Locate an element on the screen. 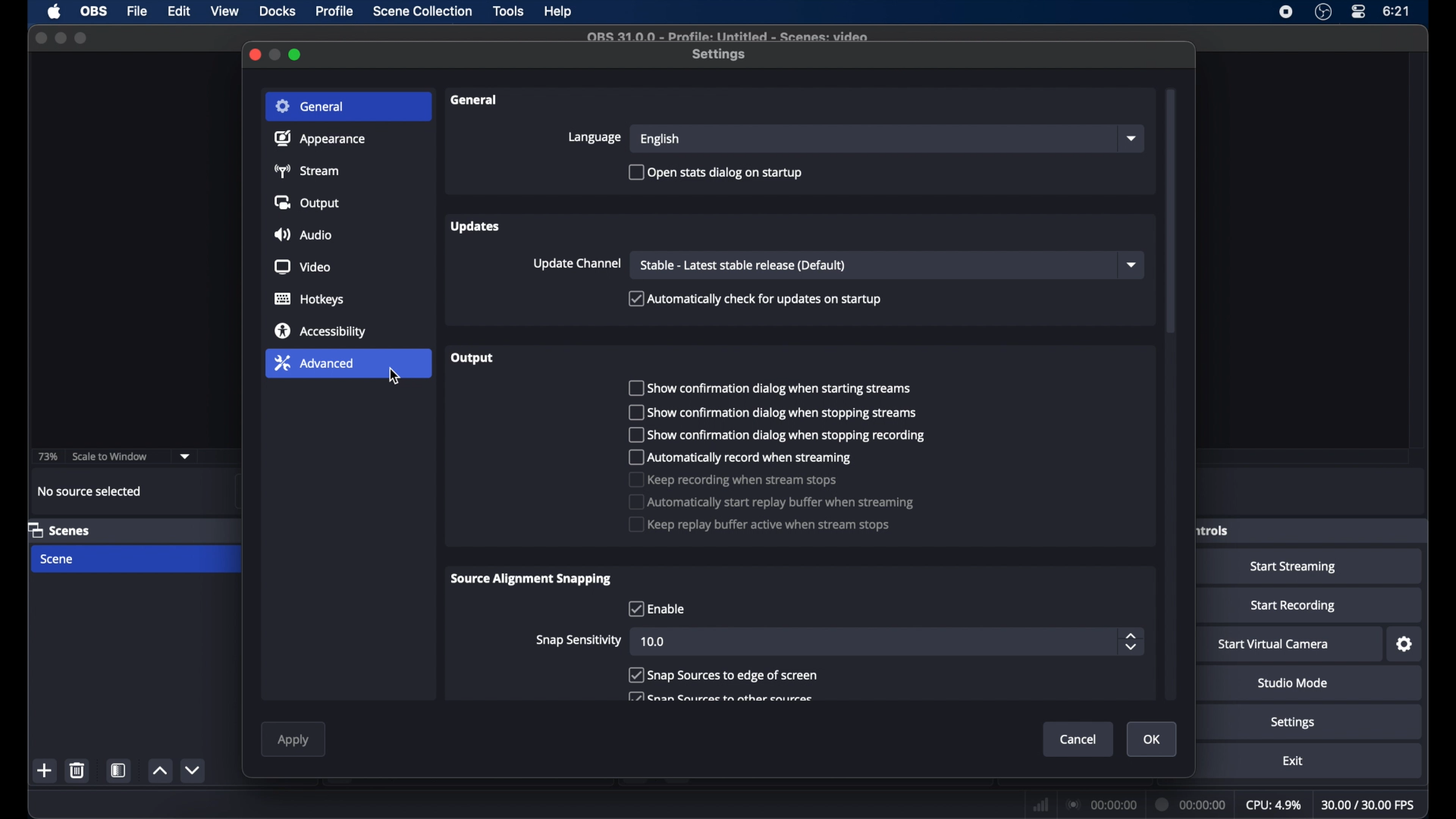  start recording is located at coordinates (1293, 606).